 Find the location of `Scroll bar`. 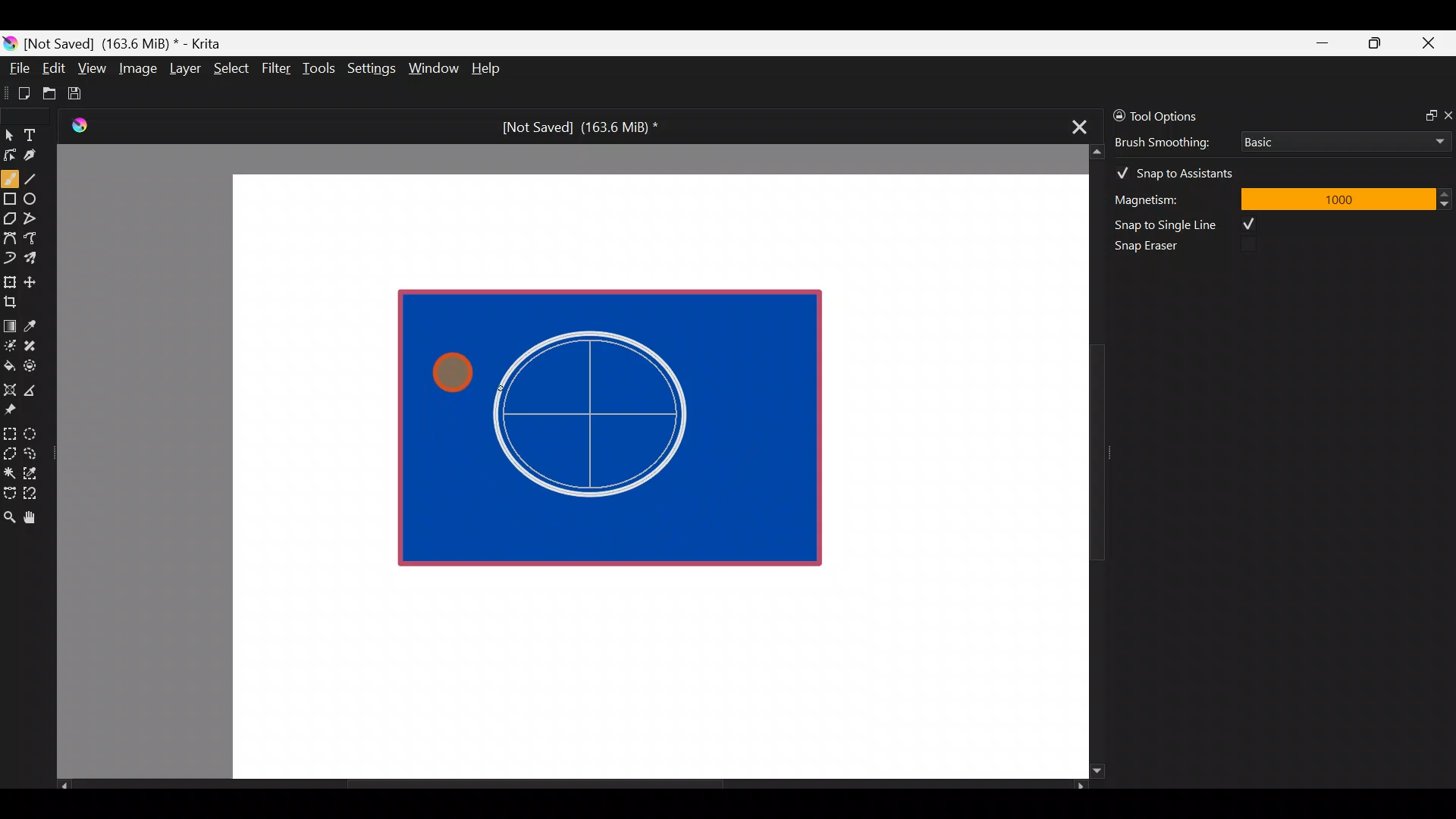

Scroll bar is located at coordinates (572, 786).